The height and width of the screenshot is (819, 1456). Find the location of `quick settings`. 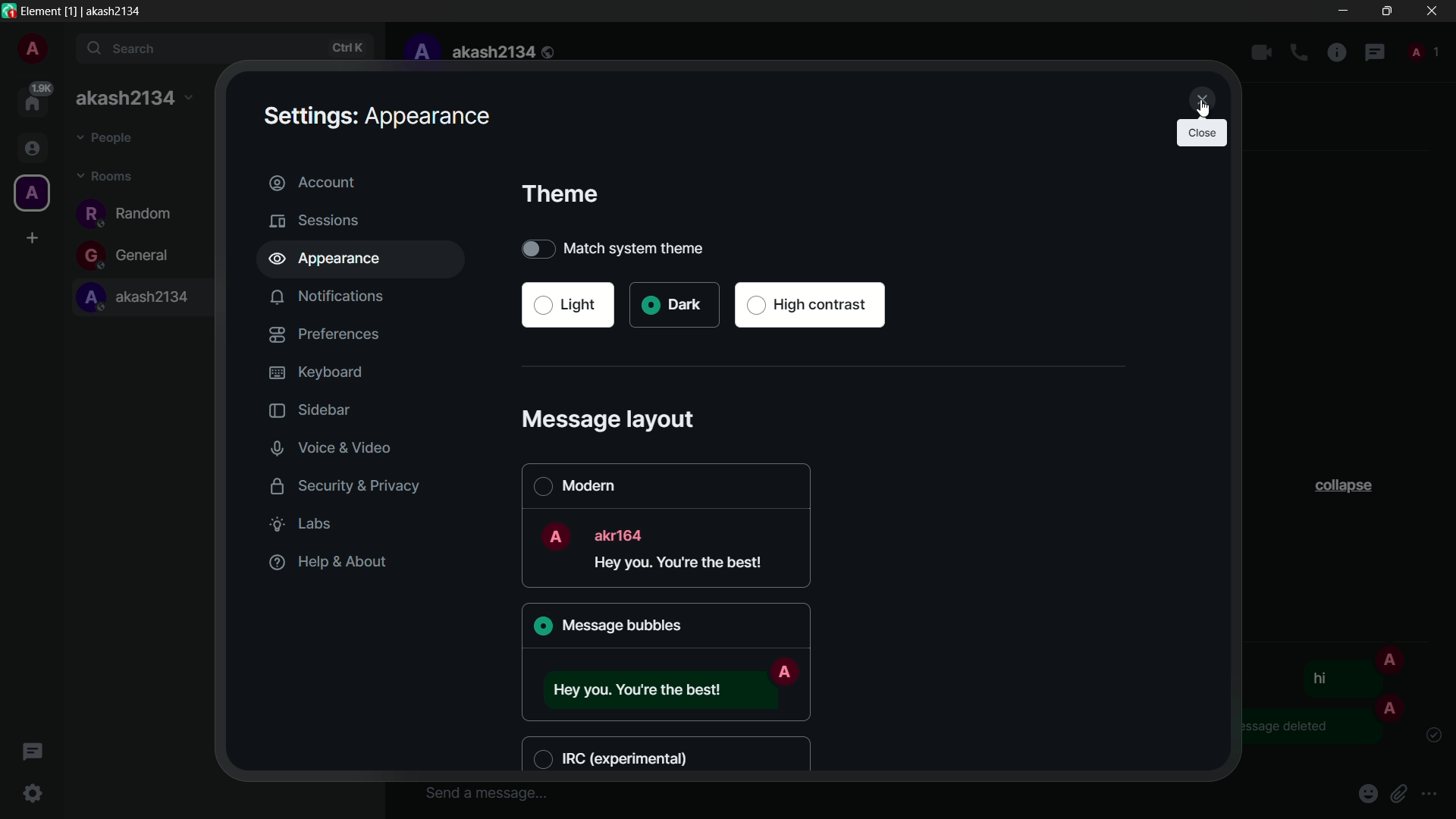

quick settings is located at coordinates (34, 795).